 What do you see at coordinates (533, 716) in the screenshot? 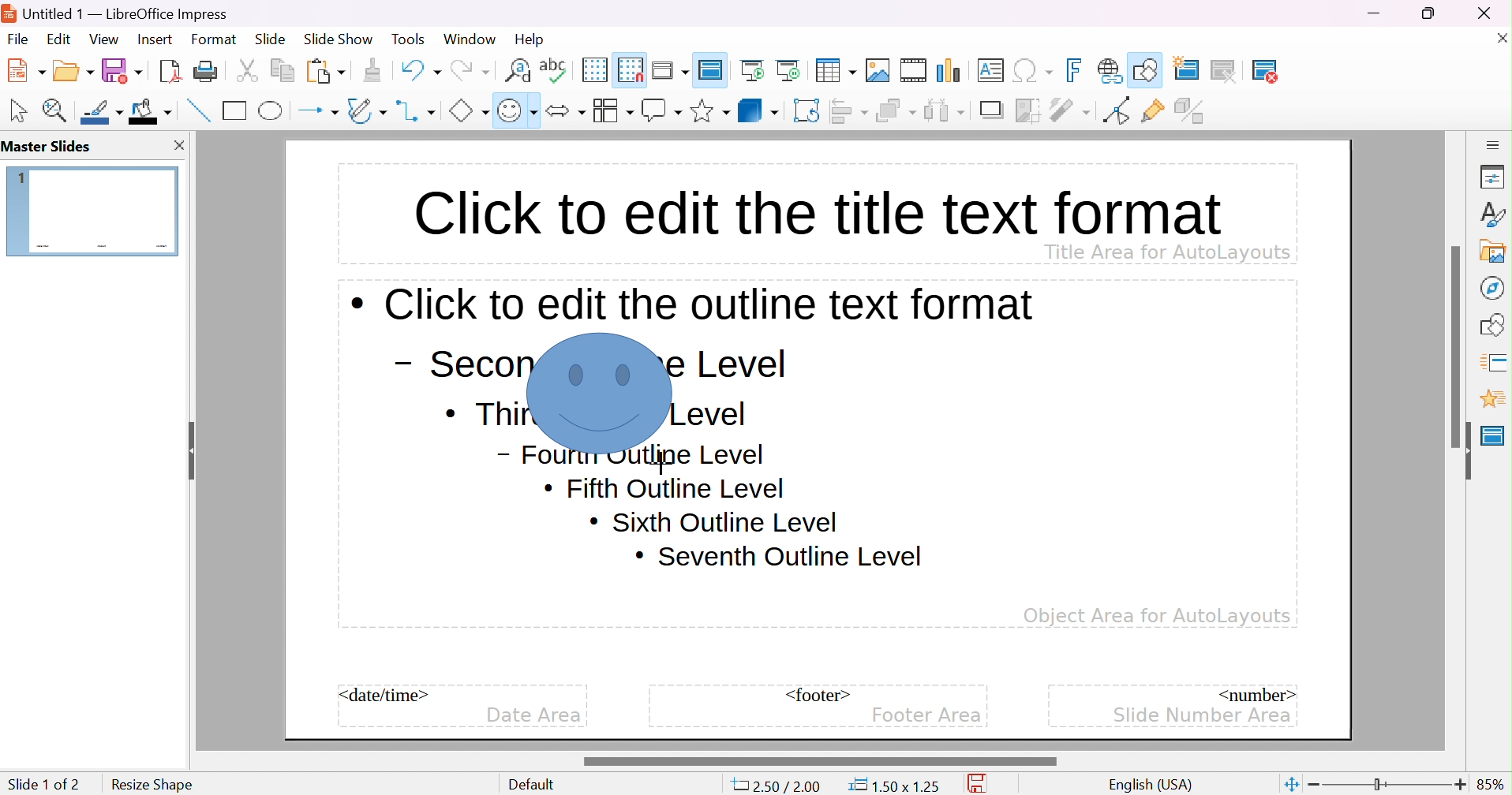
I see `date area` at bounding box center [533, 716].